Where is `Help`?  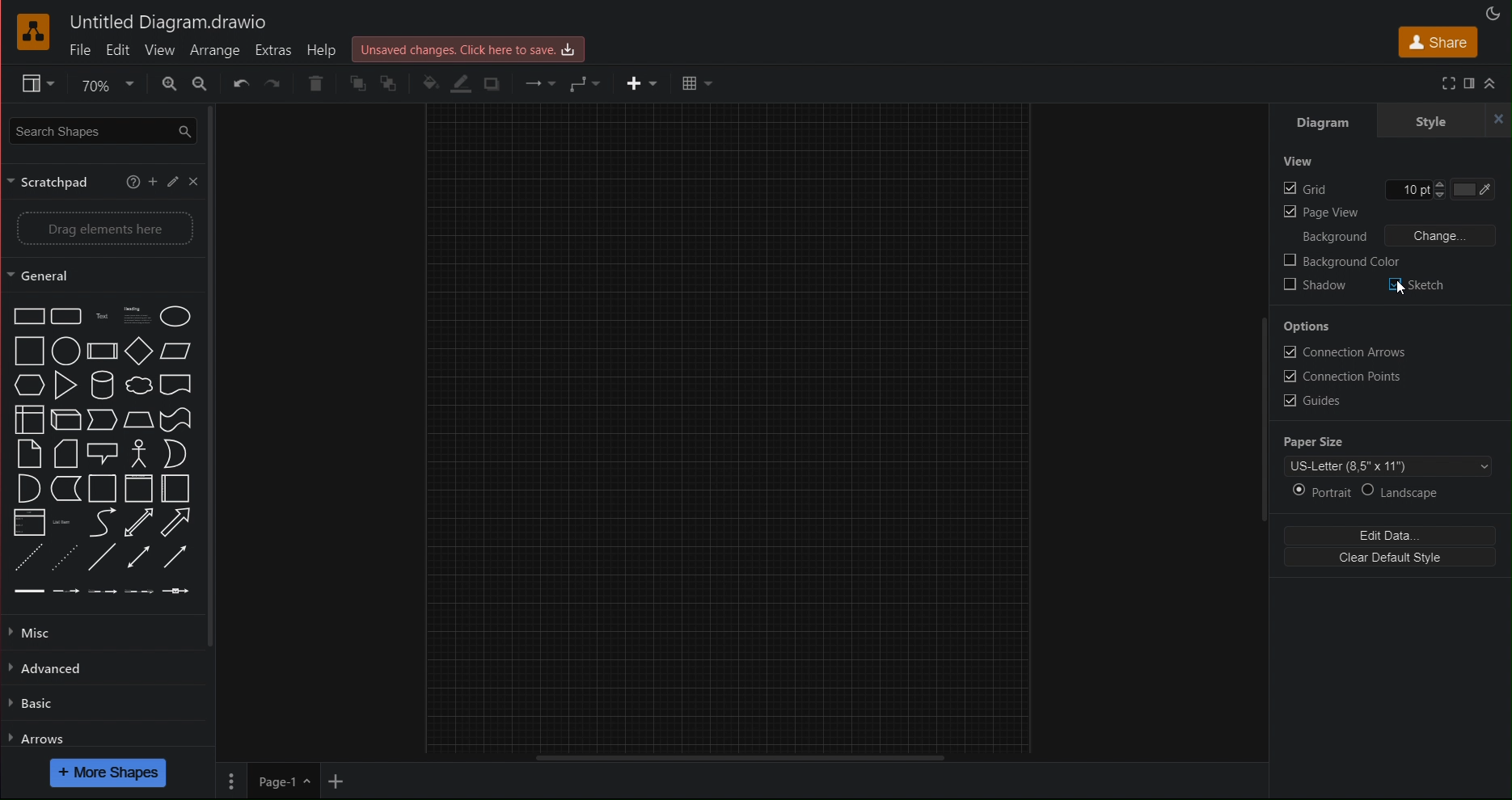
Help is located at coordinates (326, 48).